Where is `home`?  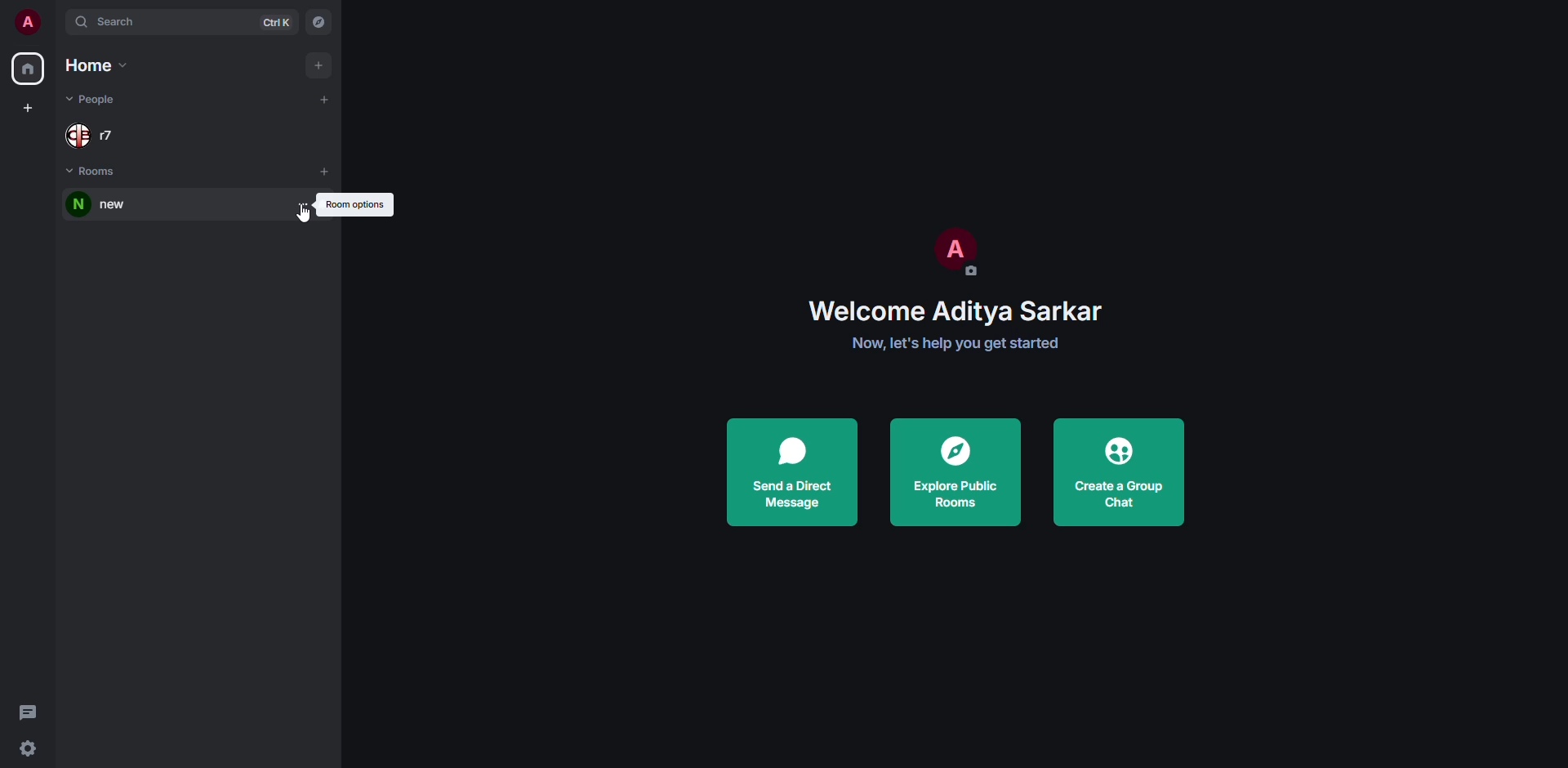
home is located at coordinates (26, 69).